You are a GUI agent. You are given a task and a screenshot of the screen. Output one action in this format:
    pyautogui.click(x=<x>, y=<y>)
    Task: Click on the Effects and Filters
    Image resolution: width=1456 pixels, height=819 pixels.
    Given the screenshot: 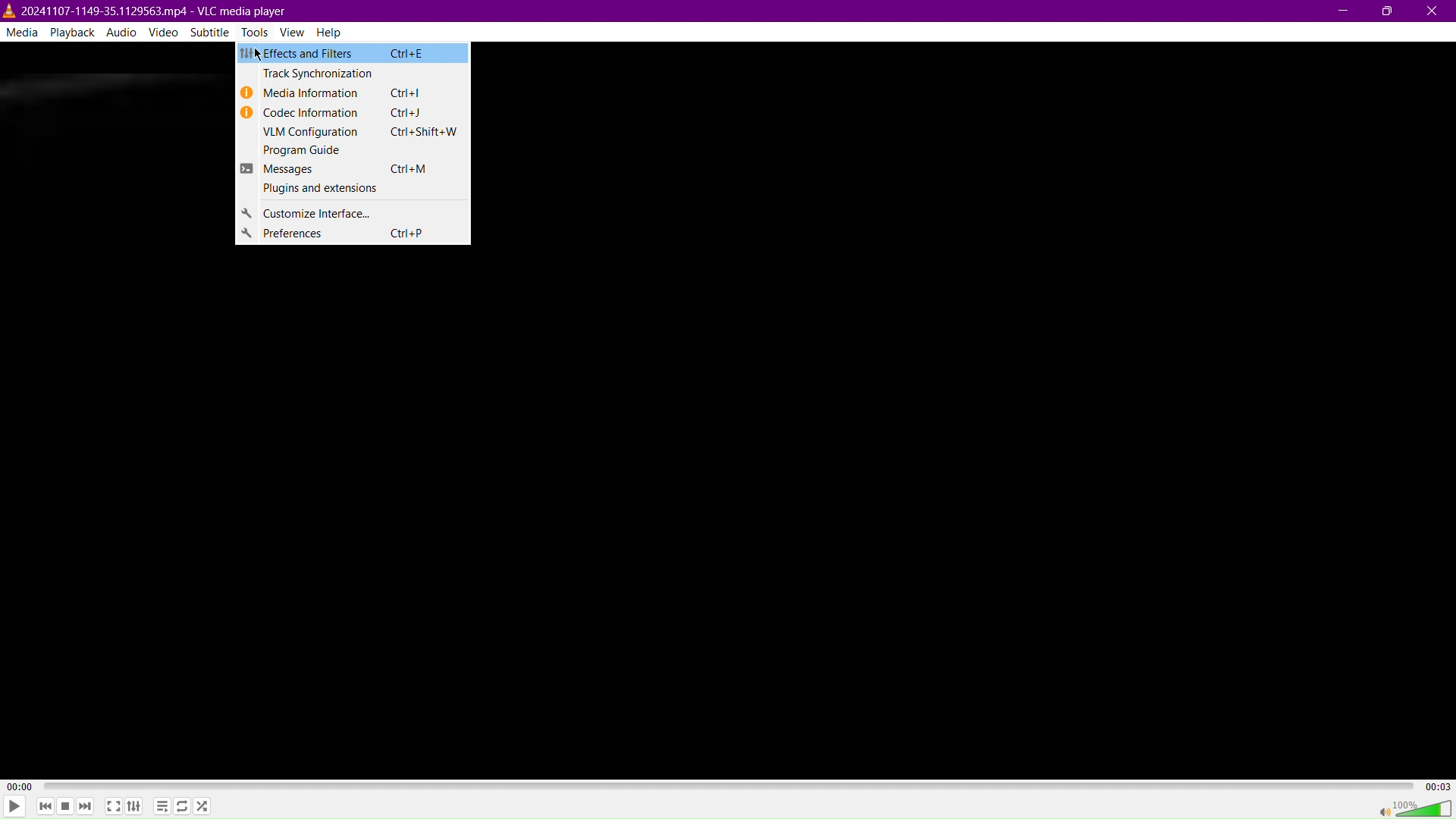 What is the action you would take?
    pyautogui.click(x=353, y=54)
    